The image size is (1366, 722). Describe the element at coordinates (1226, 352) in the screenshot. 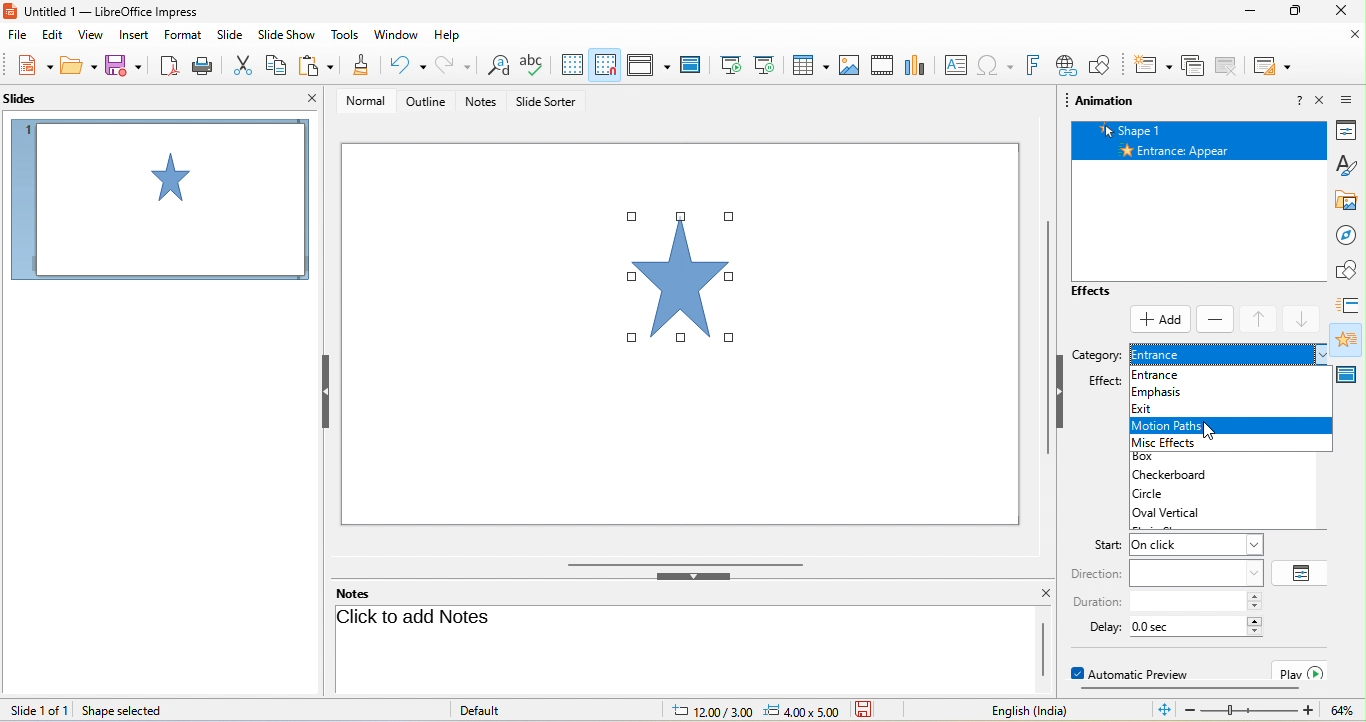

I see `entrance` at that location.